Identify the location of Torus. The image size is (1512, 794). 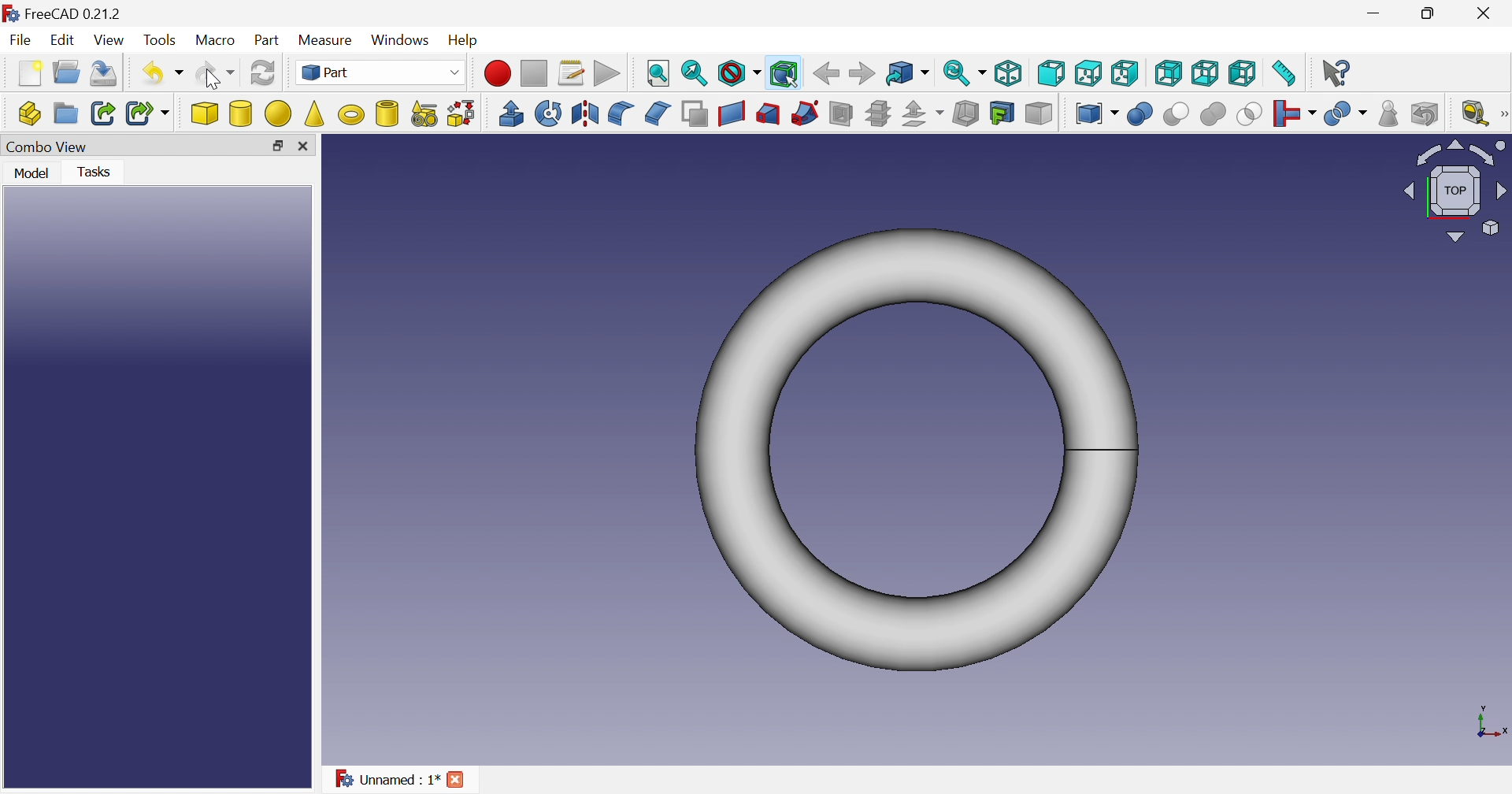
(916, 454).